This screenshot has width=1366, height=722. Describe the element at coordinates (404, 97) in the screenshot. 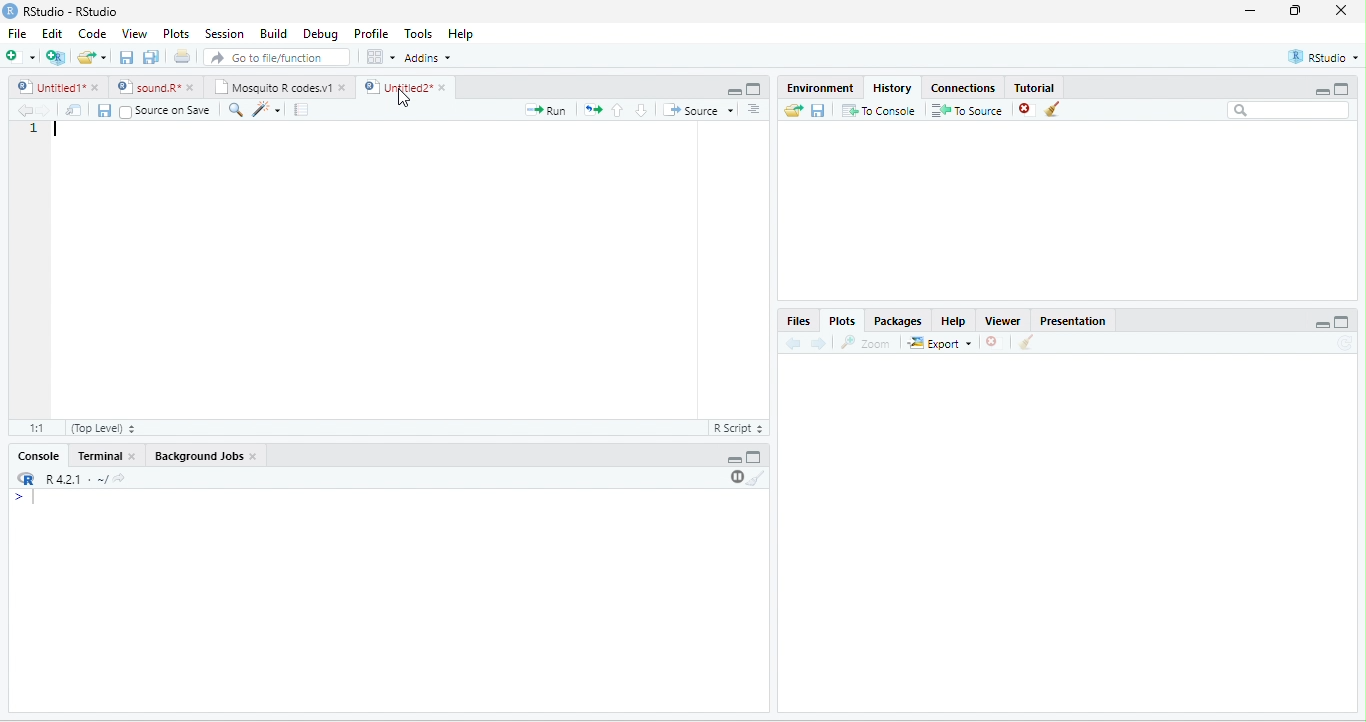

I see `cursor` at that location.